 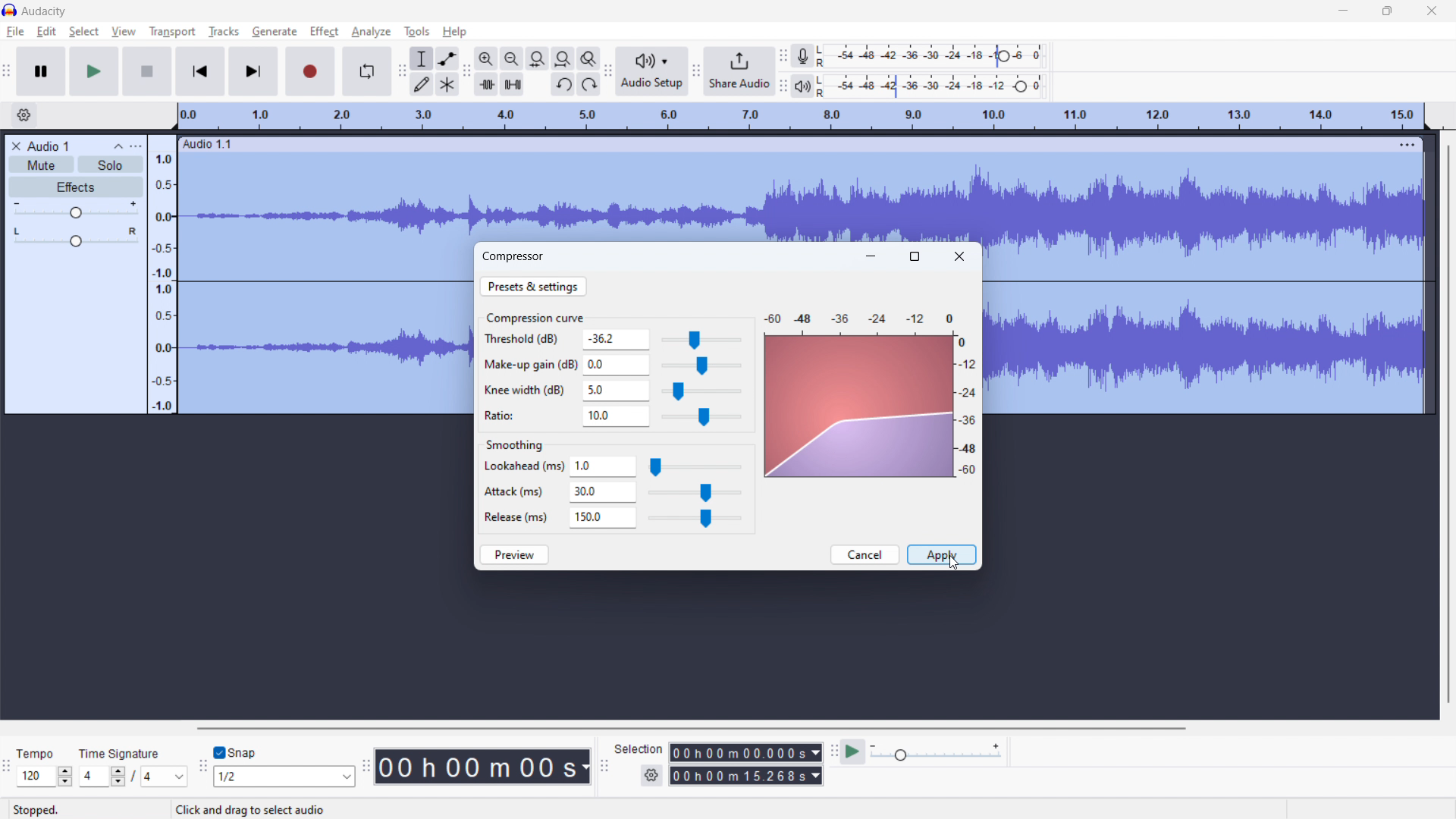 What do you see at coordinates (422, 85) in the screenshot?
I see `draw tool` at bounding box center [422, 85].